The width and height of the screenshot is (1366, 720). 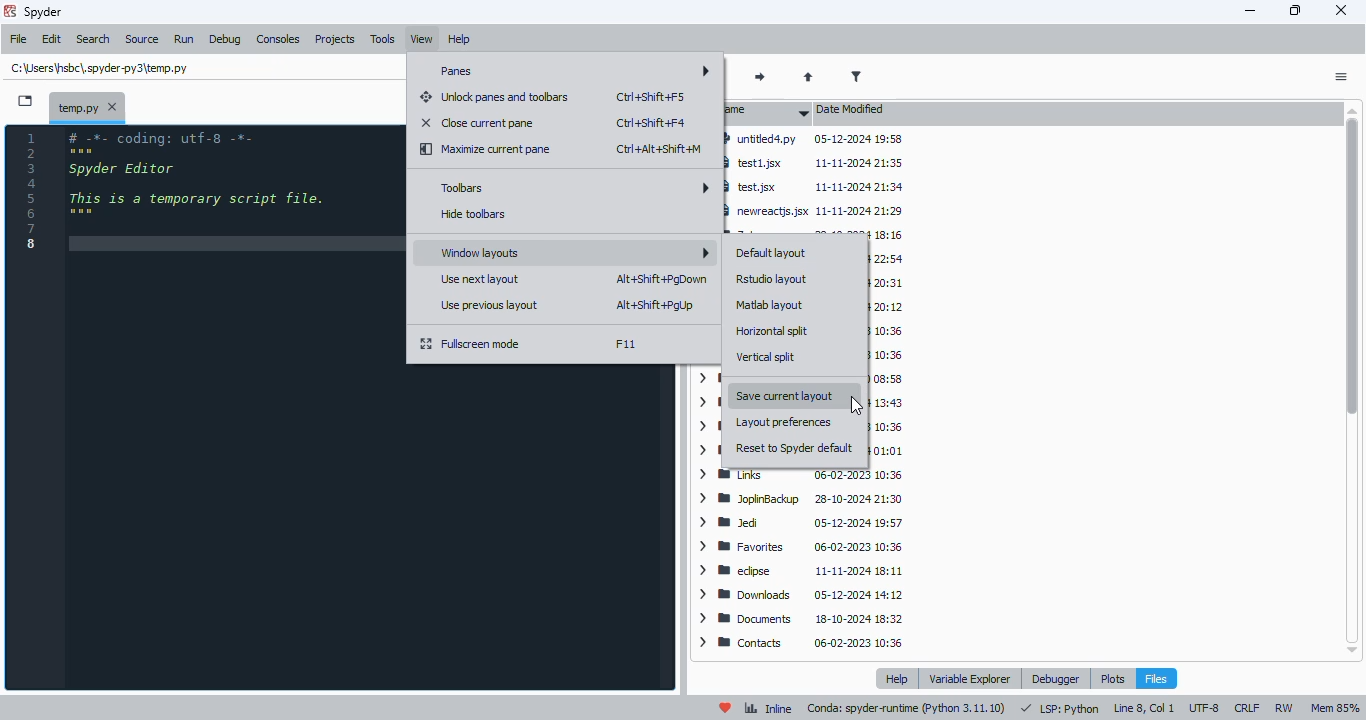 I want to click on temporary file, so click(x=98, y=68).